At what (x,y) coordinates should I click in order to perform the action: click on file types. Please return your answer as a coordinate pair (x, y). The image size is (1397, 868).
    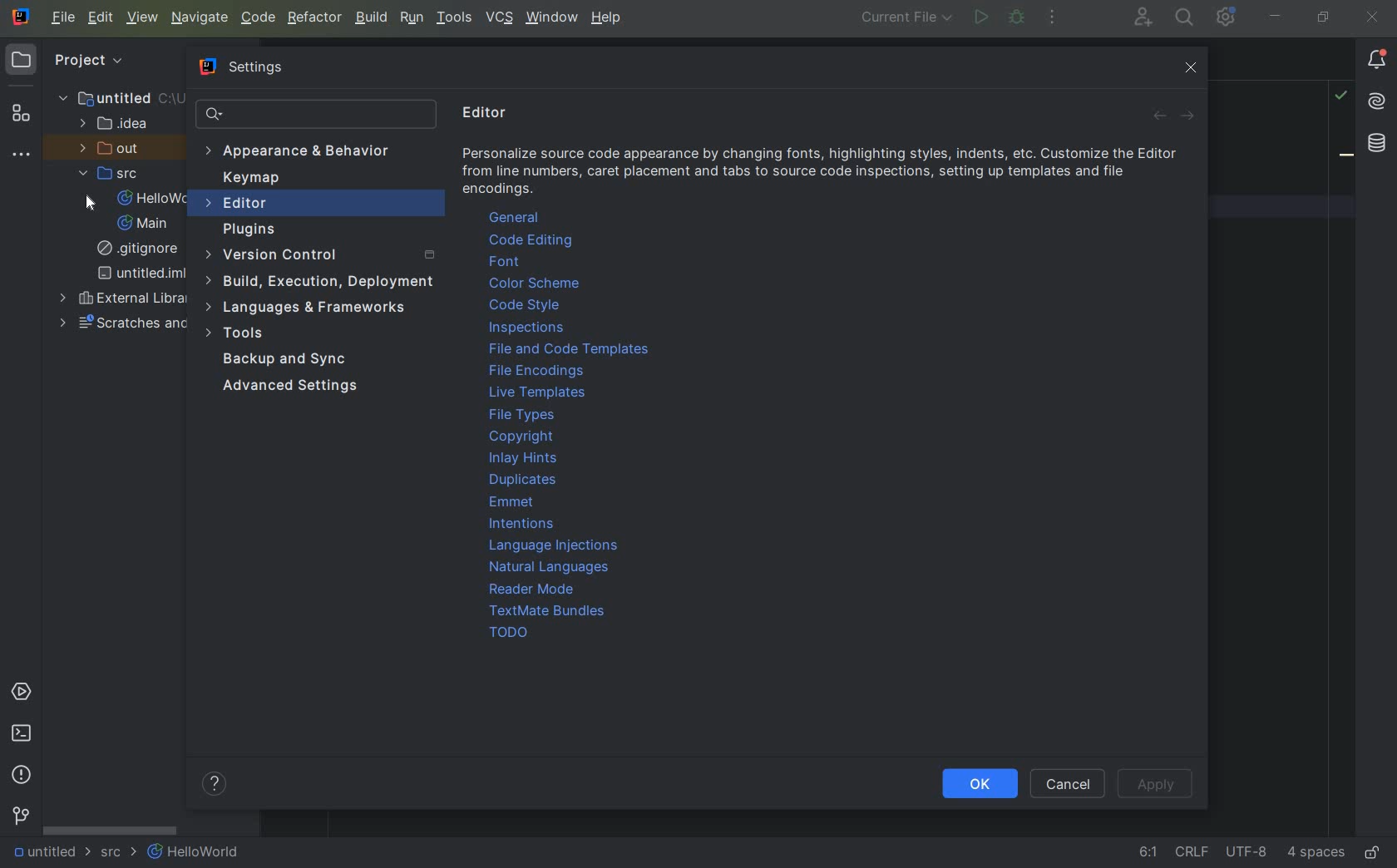
    Looking at the image, I should click on (528, 416).